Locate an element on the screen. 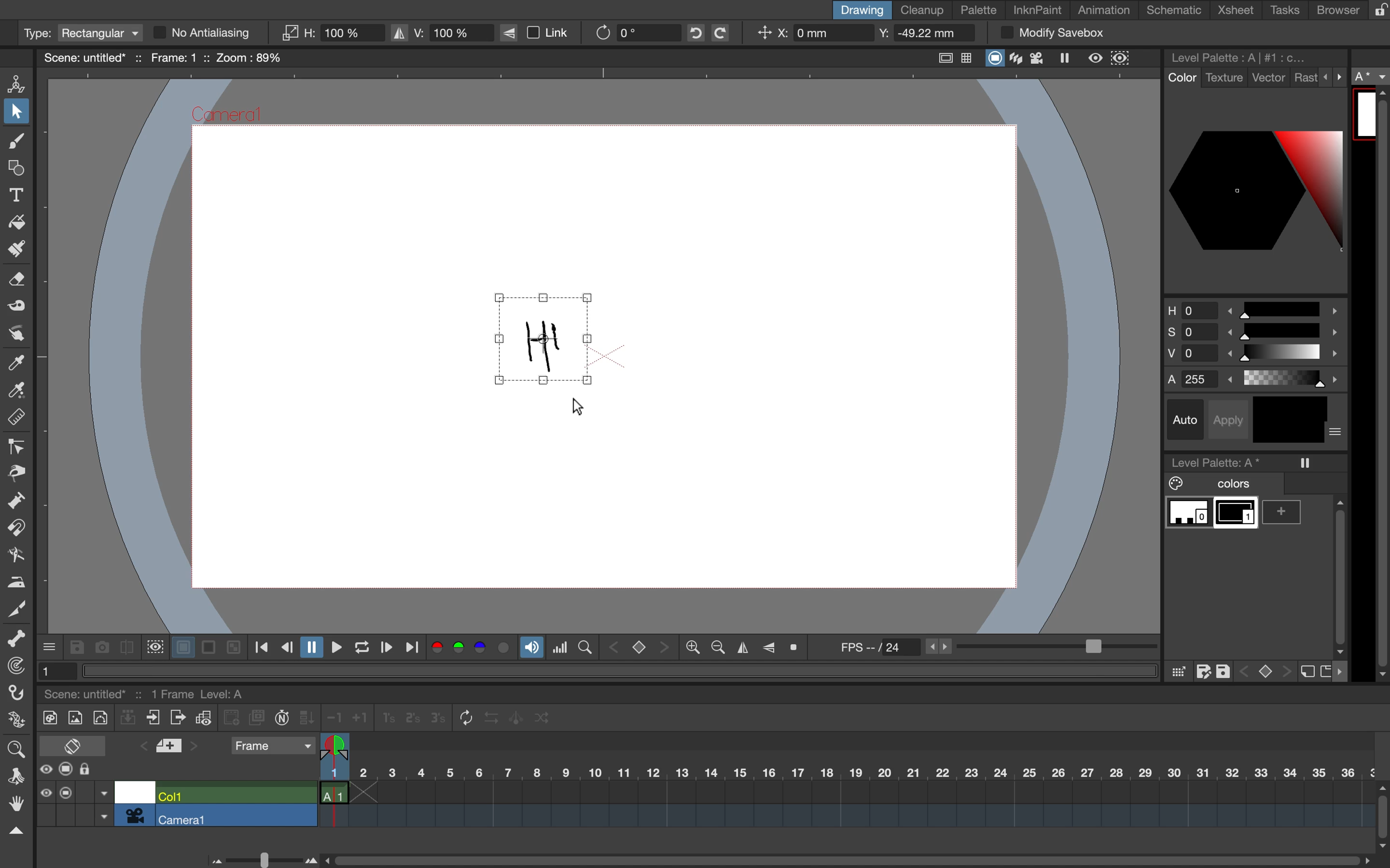  switch between keys is located at coordinates (1264, 670).